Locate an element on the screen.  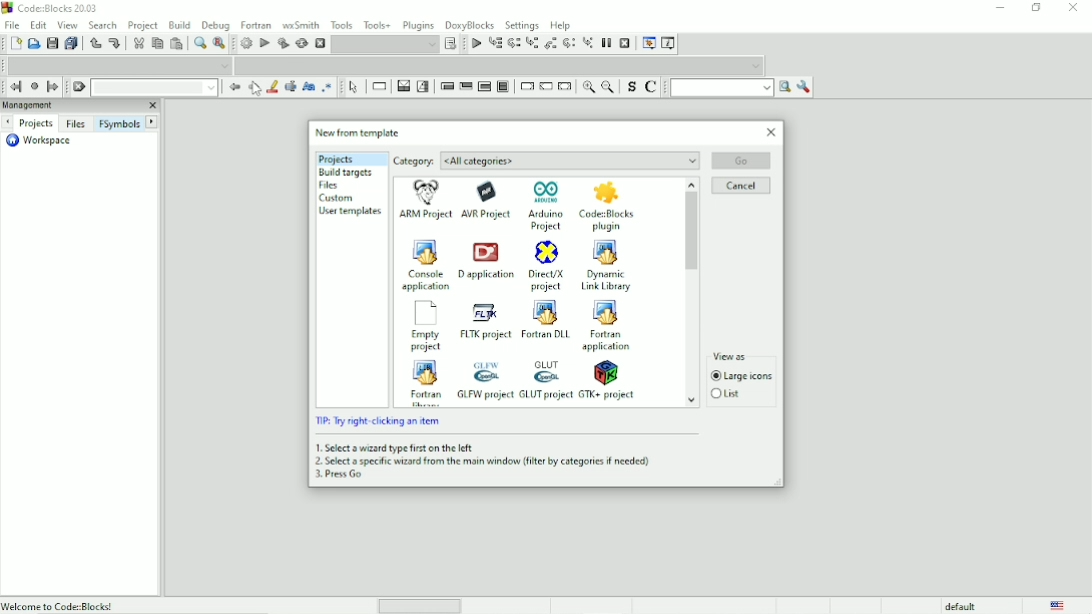
Build and run is located at coordinates (282, 43).